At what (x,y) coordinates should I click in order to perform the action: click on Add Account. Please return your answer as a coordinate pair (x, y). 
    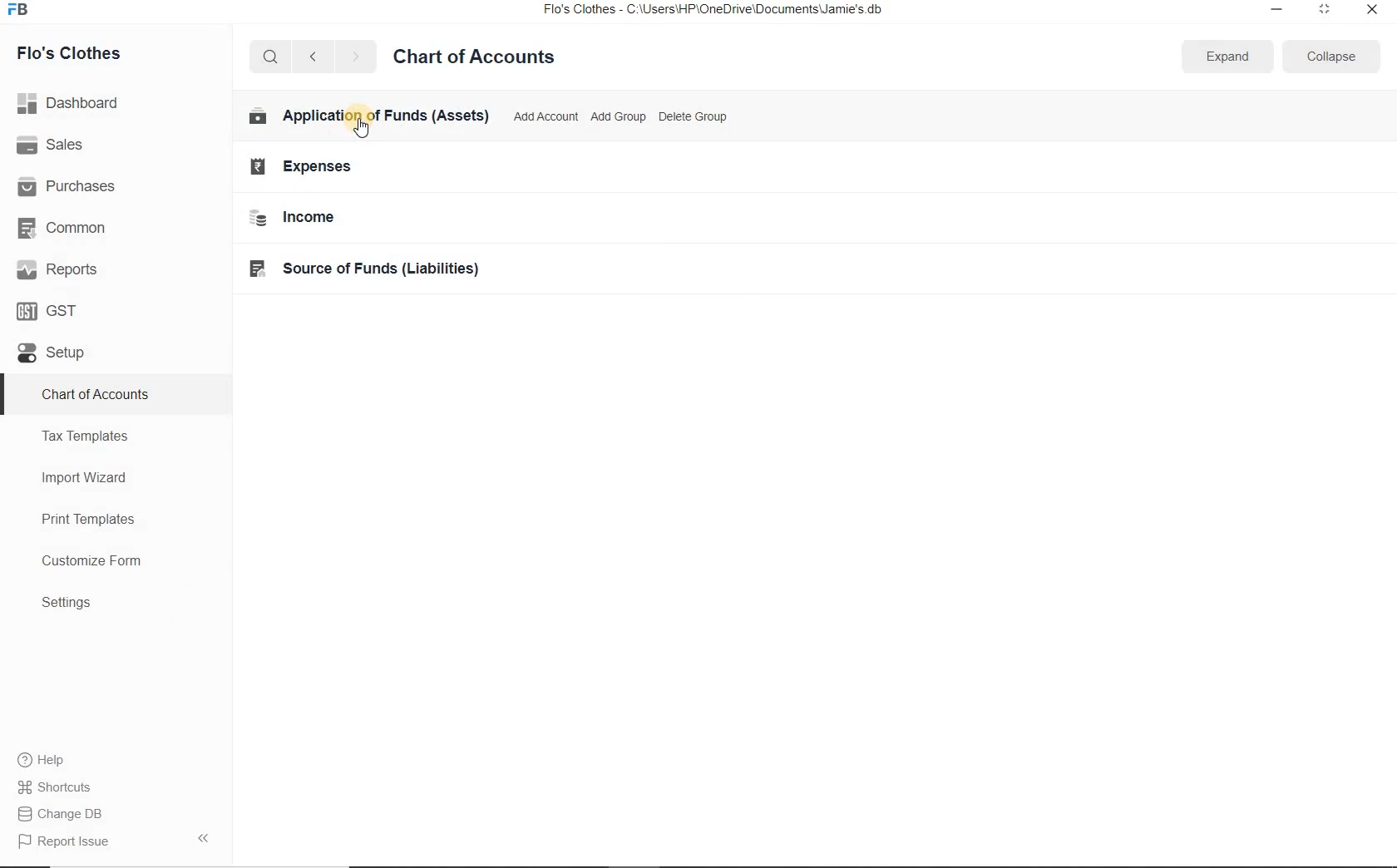
    Looking at the image, I should click on (546, 117).